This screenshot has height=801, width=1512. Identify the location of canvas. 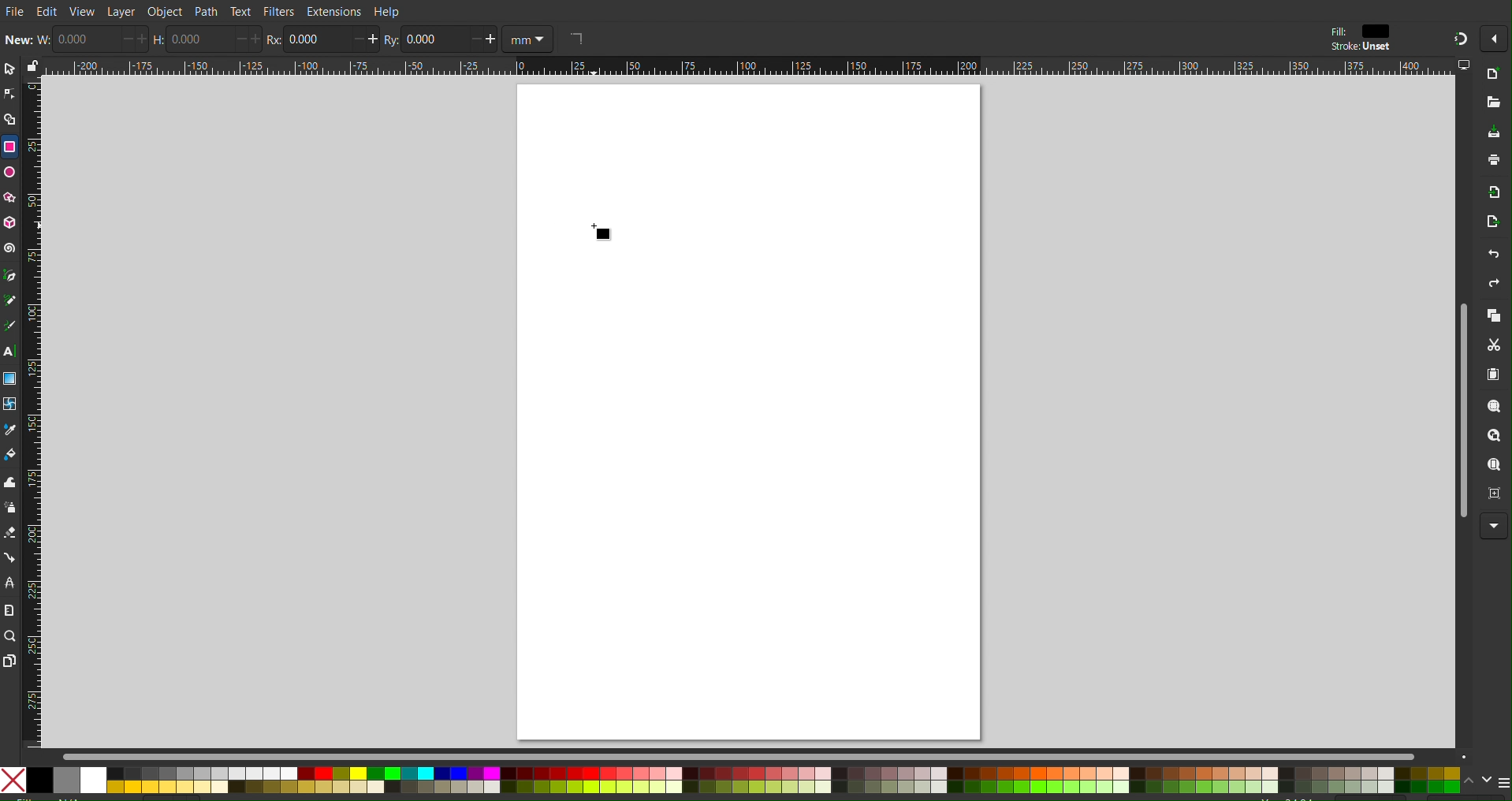
(749, 413).